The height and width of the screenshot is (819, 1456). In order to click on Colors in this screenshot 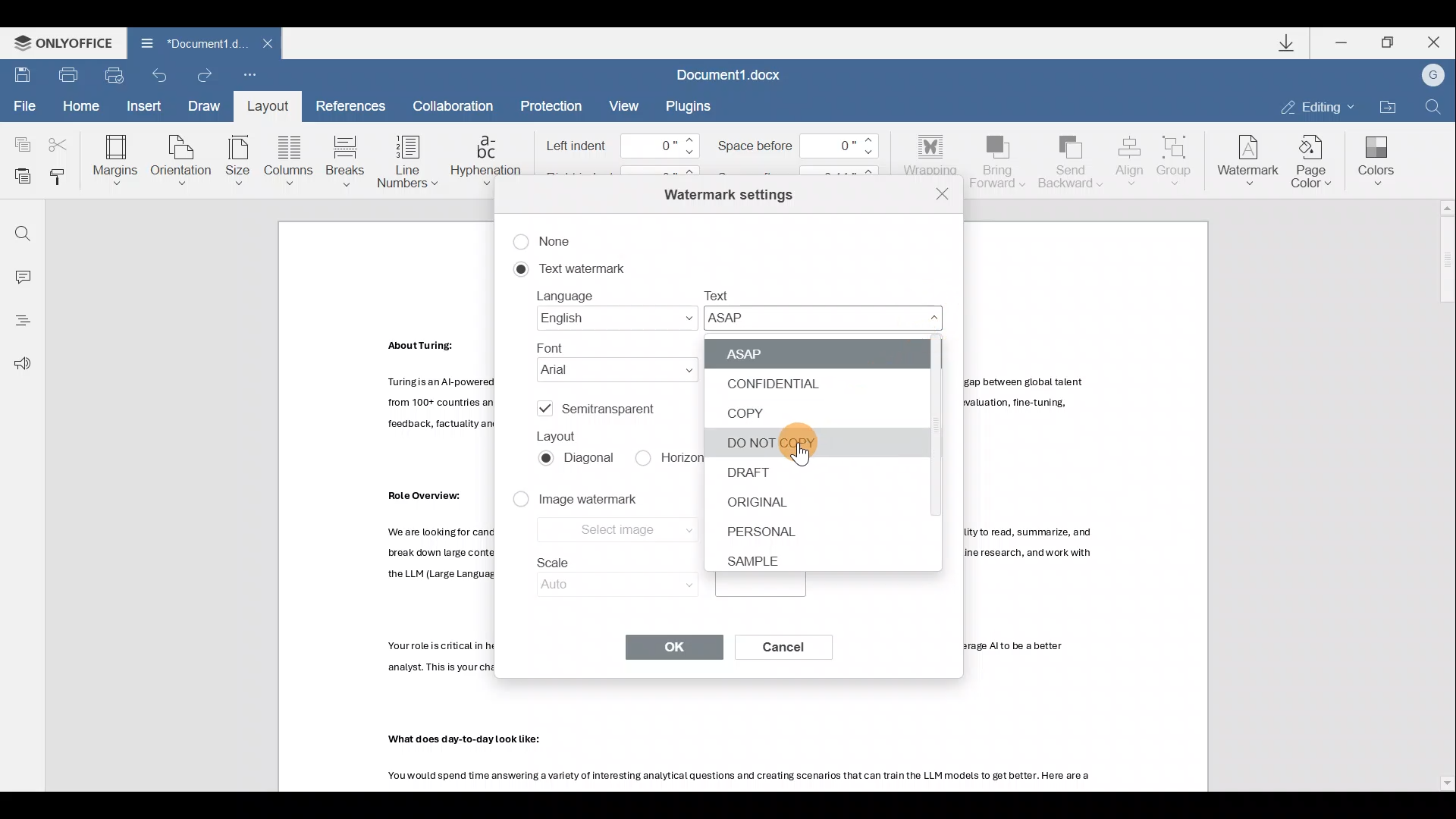, I will do `click(1375, 162)`.